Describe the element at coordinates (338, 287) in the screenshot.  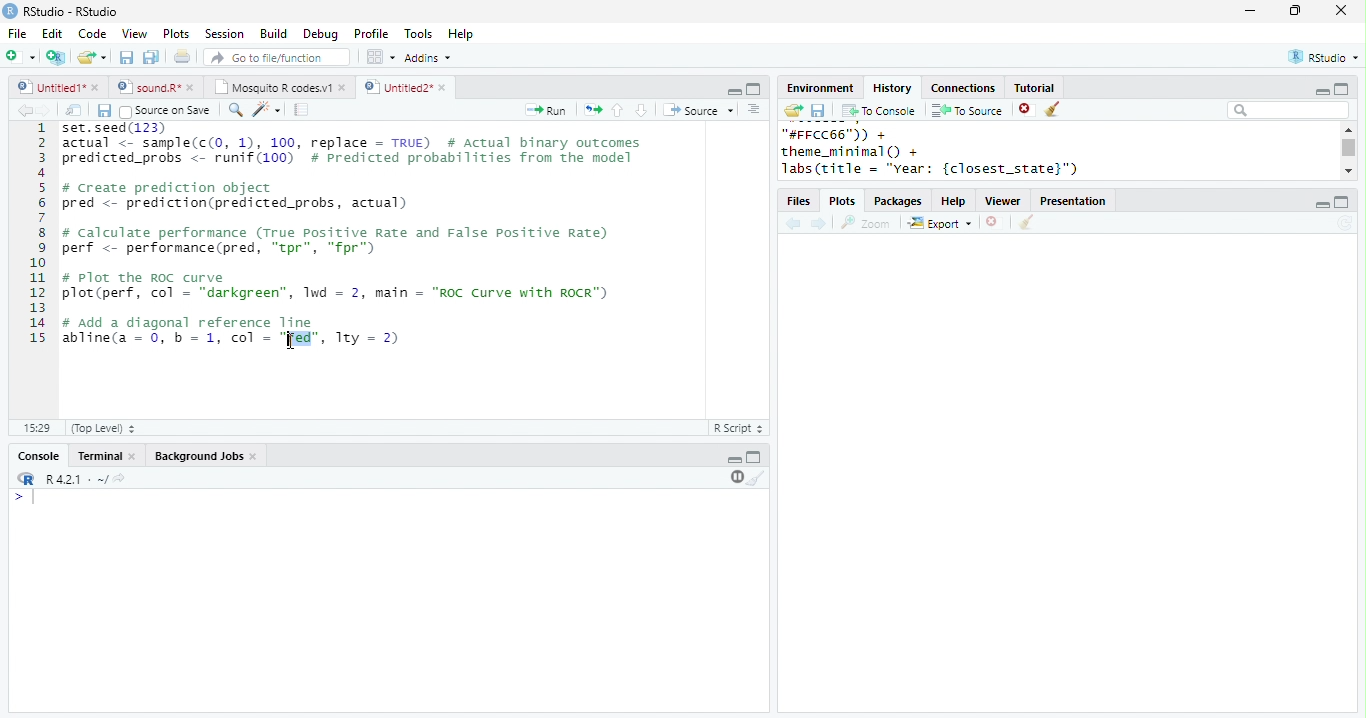
I see `# Plot the ROC curveplot(perf, col - "darkgreen”, 1wd = 2, main = "ROC Curve with ROCR")` at that location.